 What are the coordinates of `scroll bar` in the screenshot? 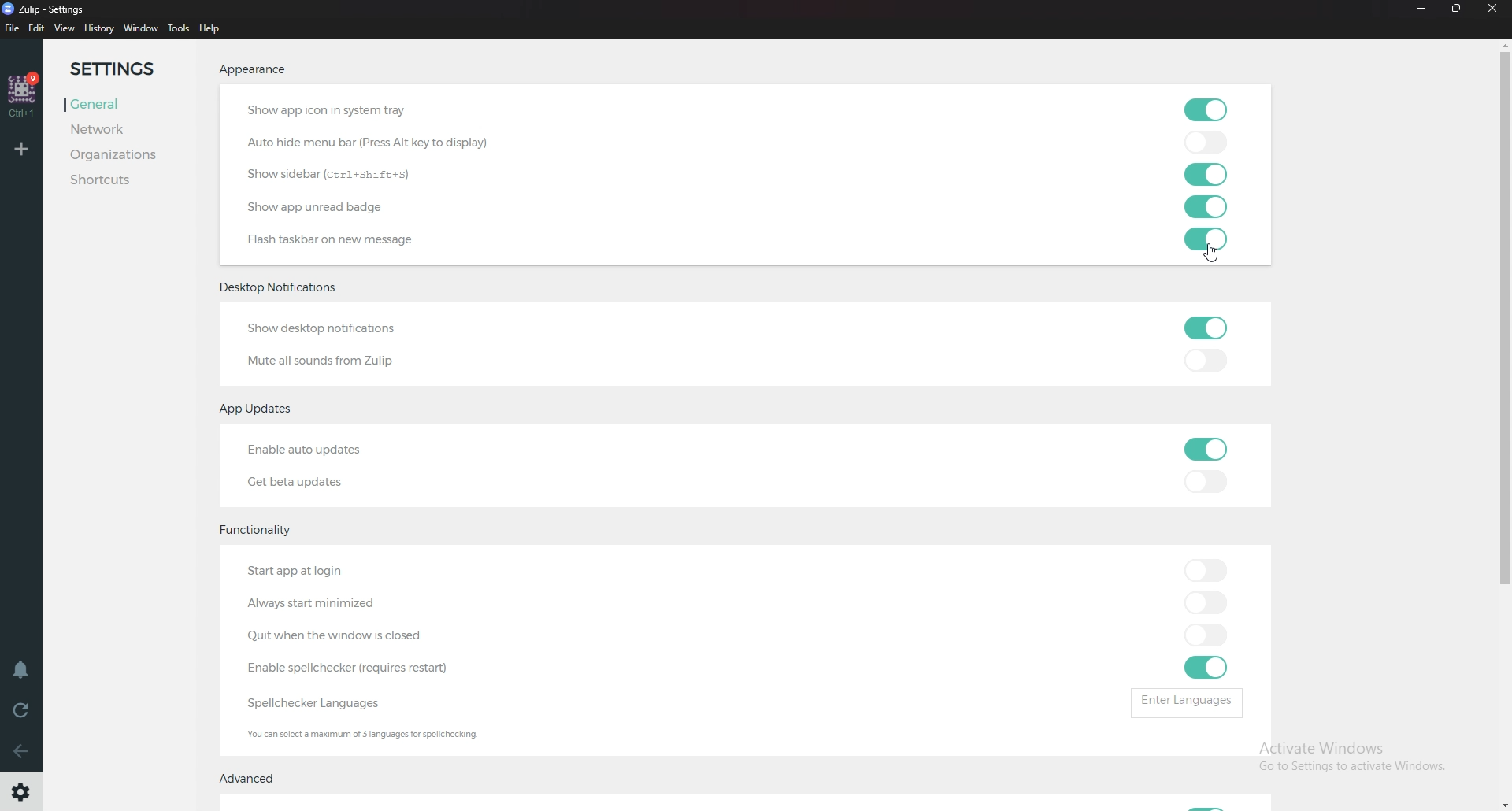 It's located at (1506, 399).